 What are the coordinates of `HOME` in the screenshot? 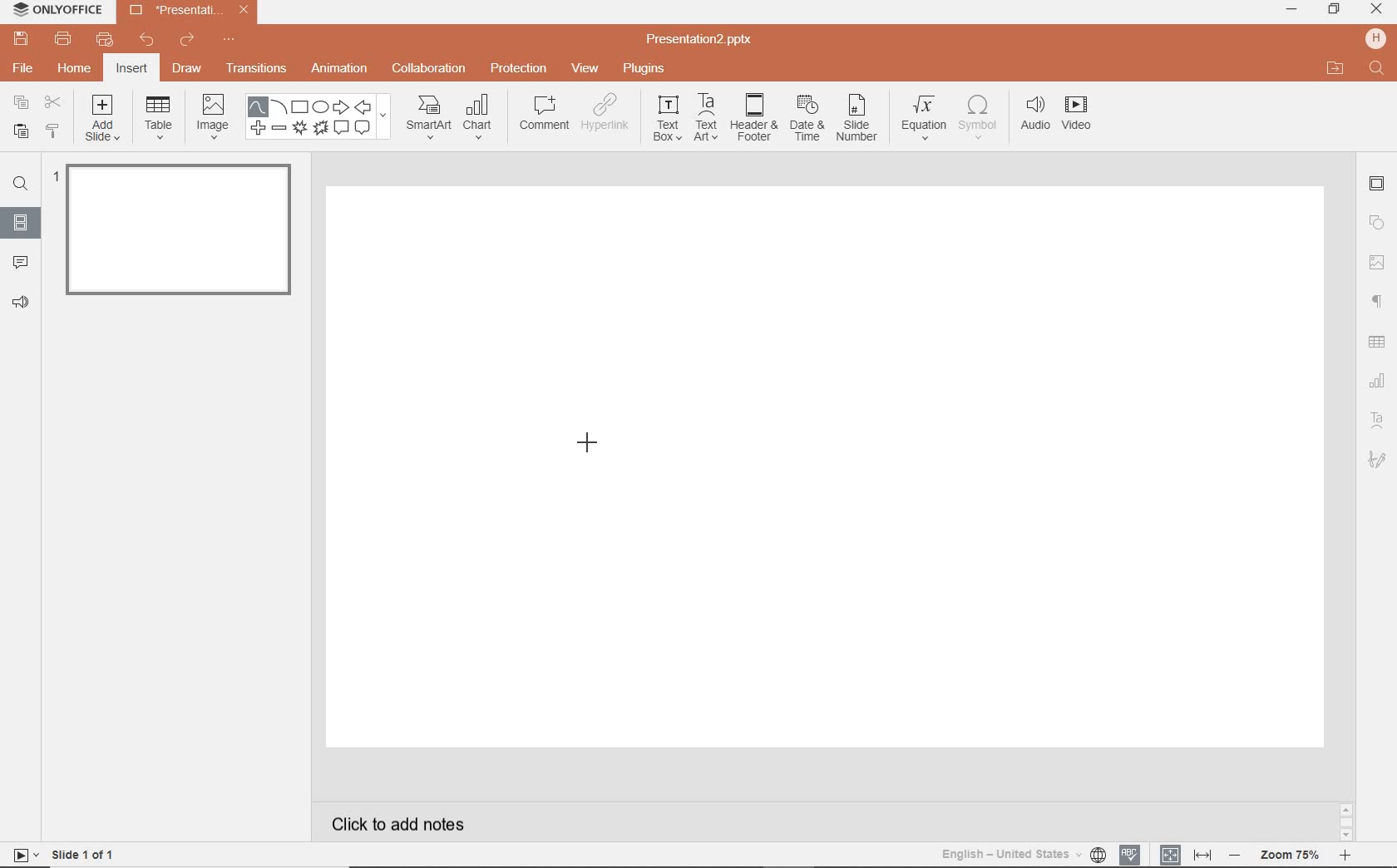 It's located at (73, 70).